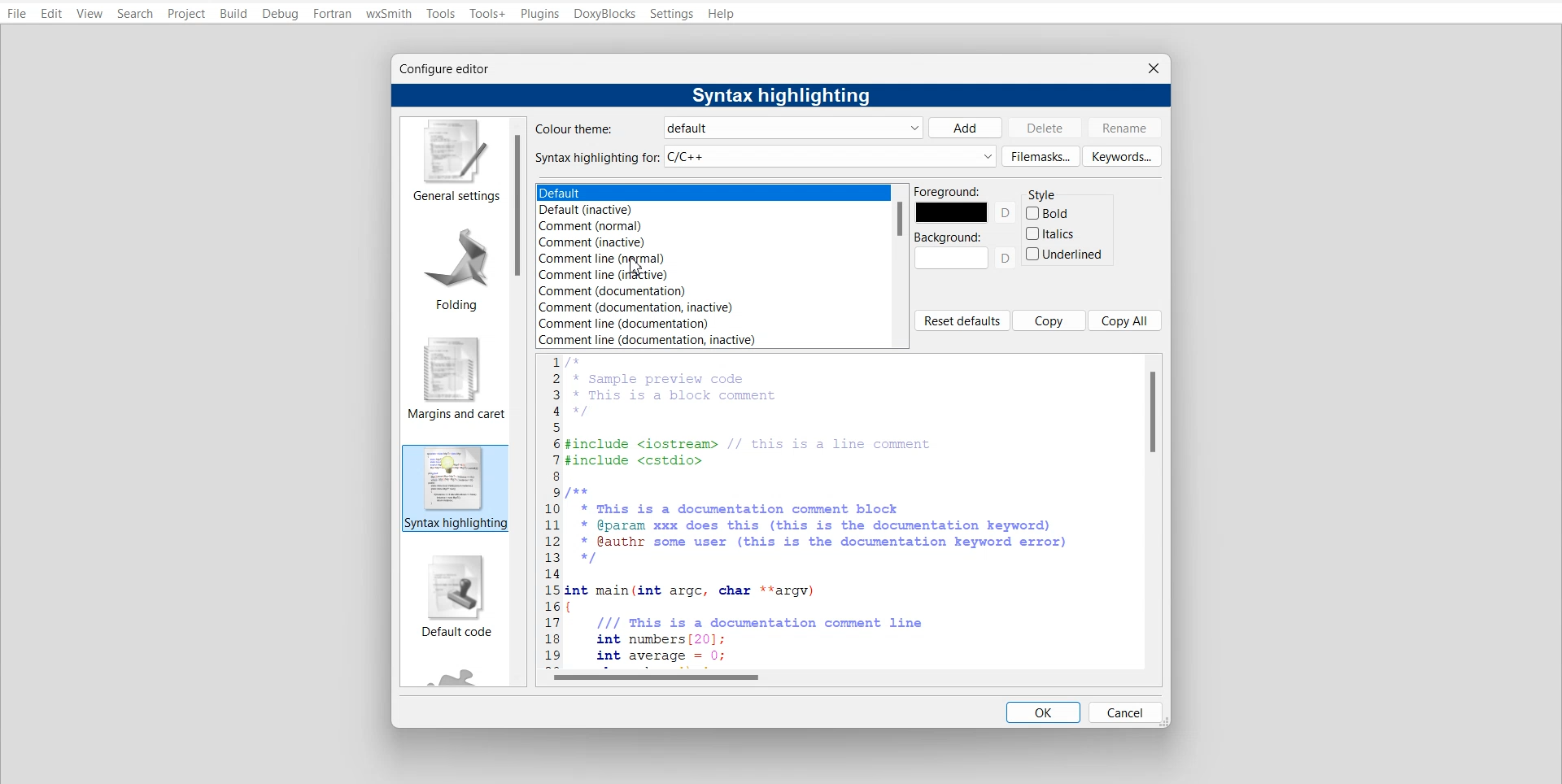 This screenshot has width=1562, height=784. What do you see at coordinates (642, 243) in the screenshot?
I see `Comment (inactive)` at bounding box center [642, 243].